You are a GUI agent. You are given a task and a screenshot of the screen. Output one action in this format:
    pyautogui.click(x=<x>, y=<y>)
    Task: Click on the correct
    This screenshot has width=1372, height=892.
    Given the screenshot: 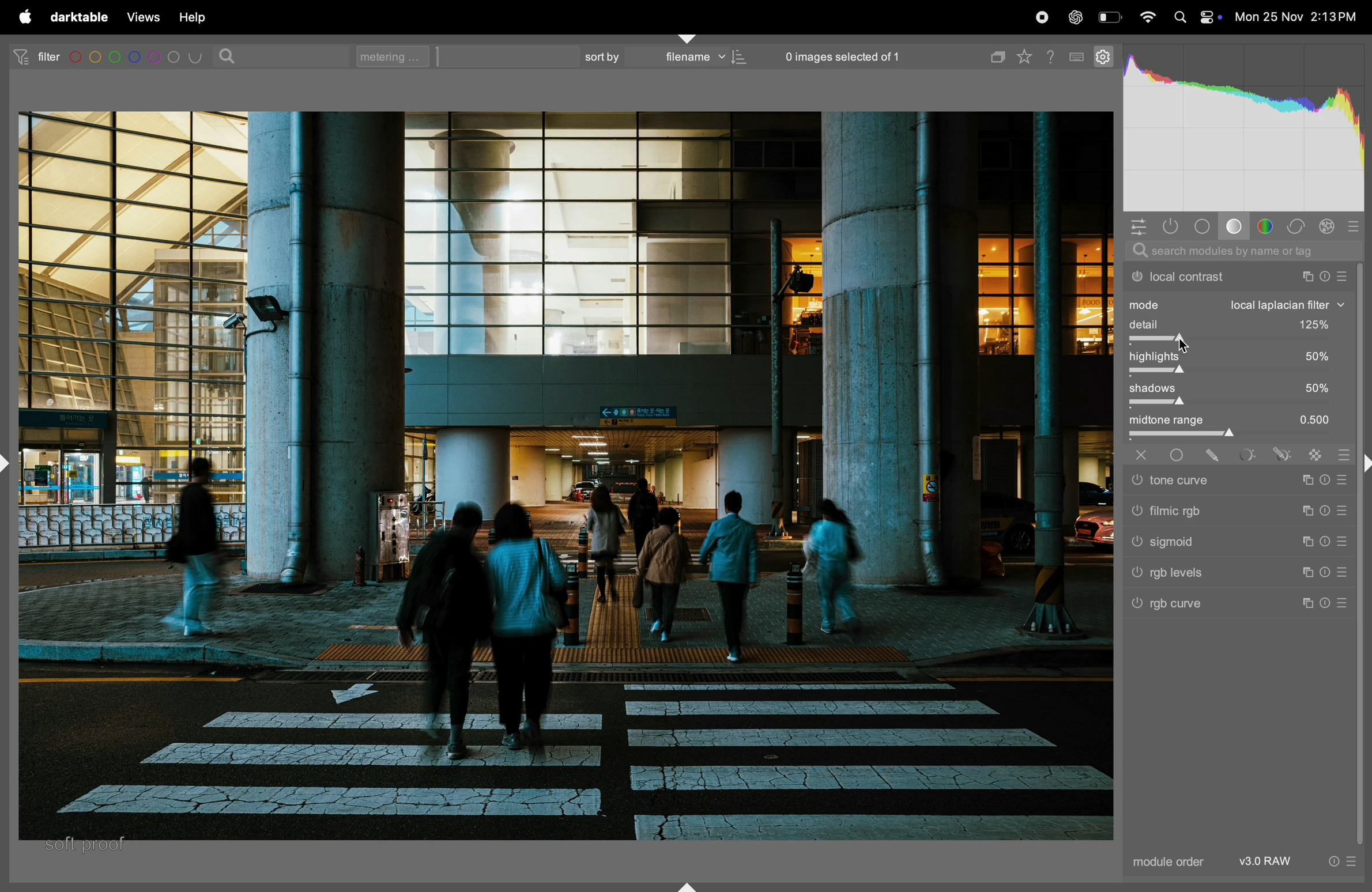 What is the action you would take?
    pyautogui.click(x=1297, y=227)
    